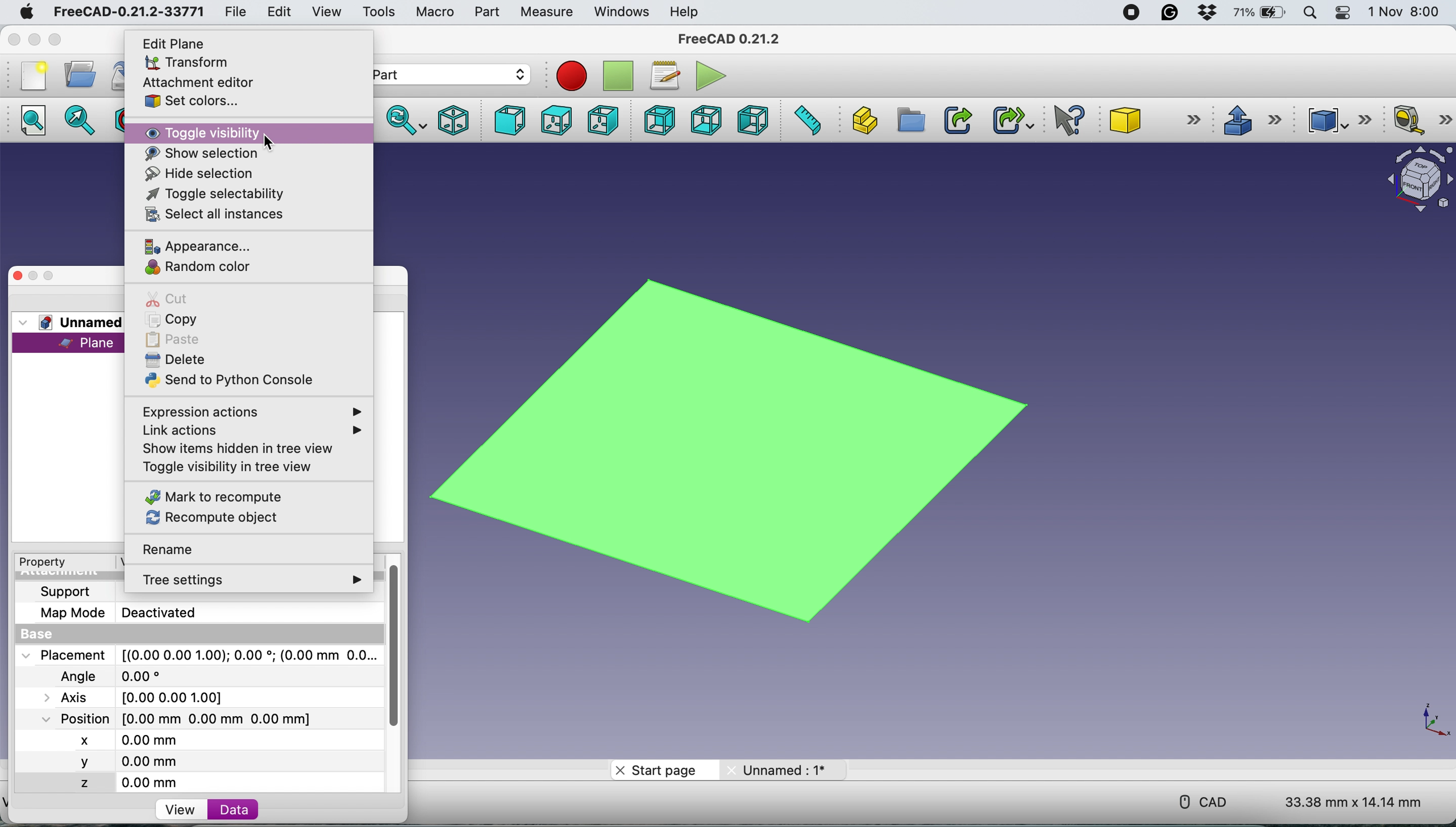 The height and width of the screenshot is (827, 1456). Describe the element at coordinates (113, 677) in the screenshot. I see `Angle 0.00*` at that location.